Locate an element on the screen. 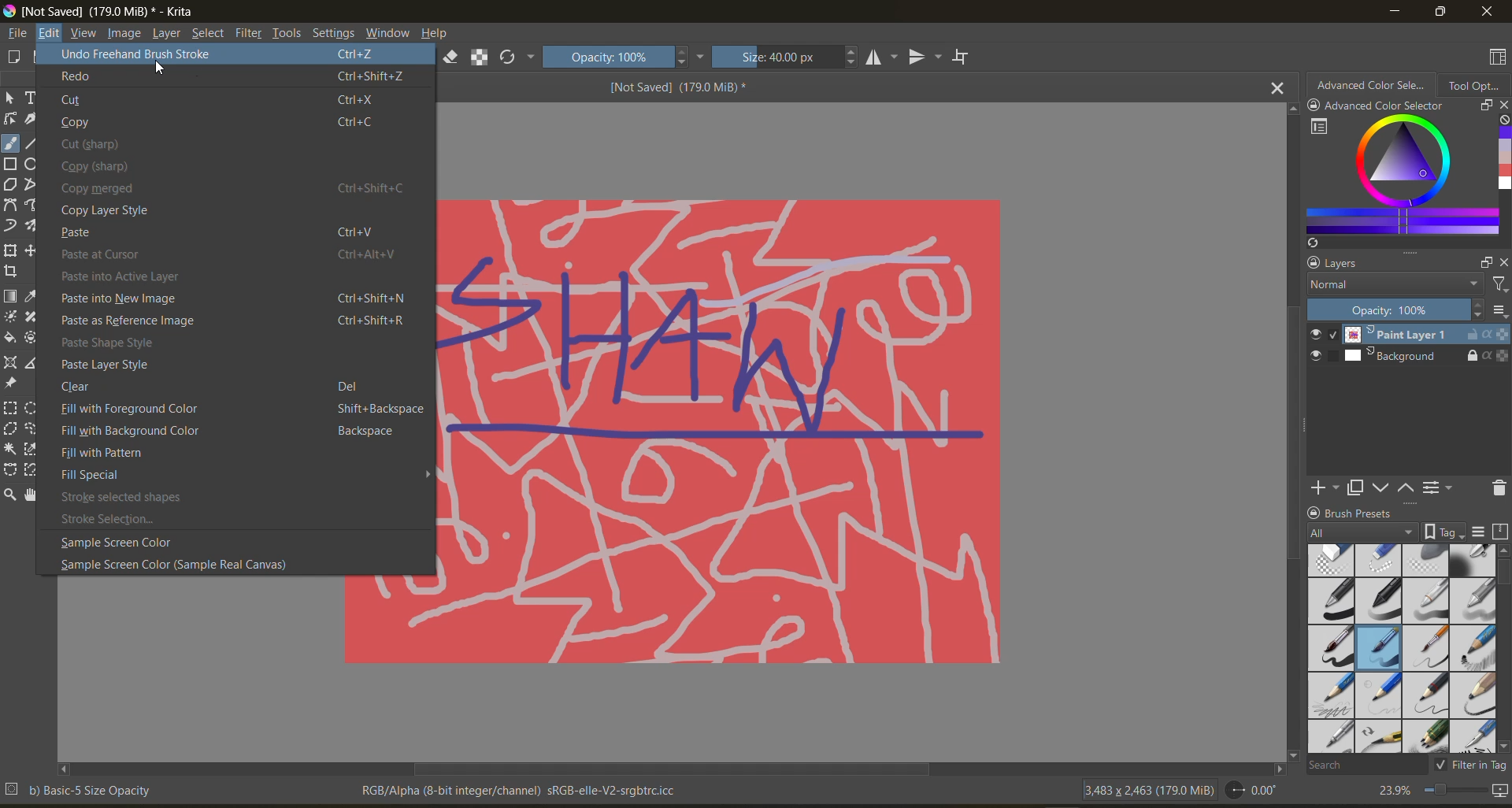  mask down is located at coordinates (1384, 488).